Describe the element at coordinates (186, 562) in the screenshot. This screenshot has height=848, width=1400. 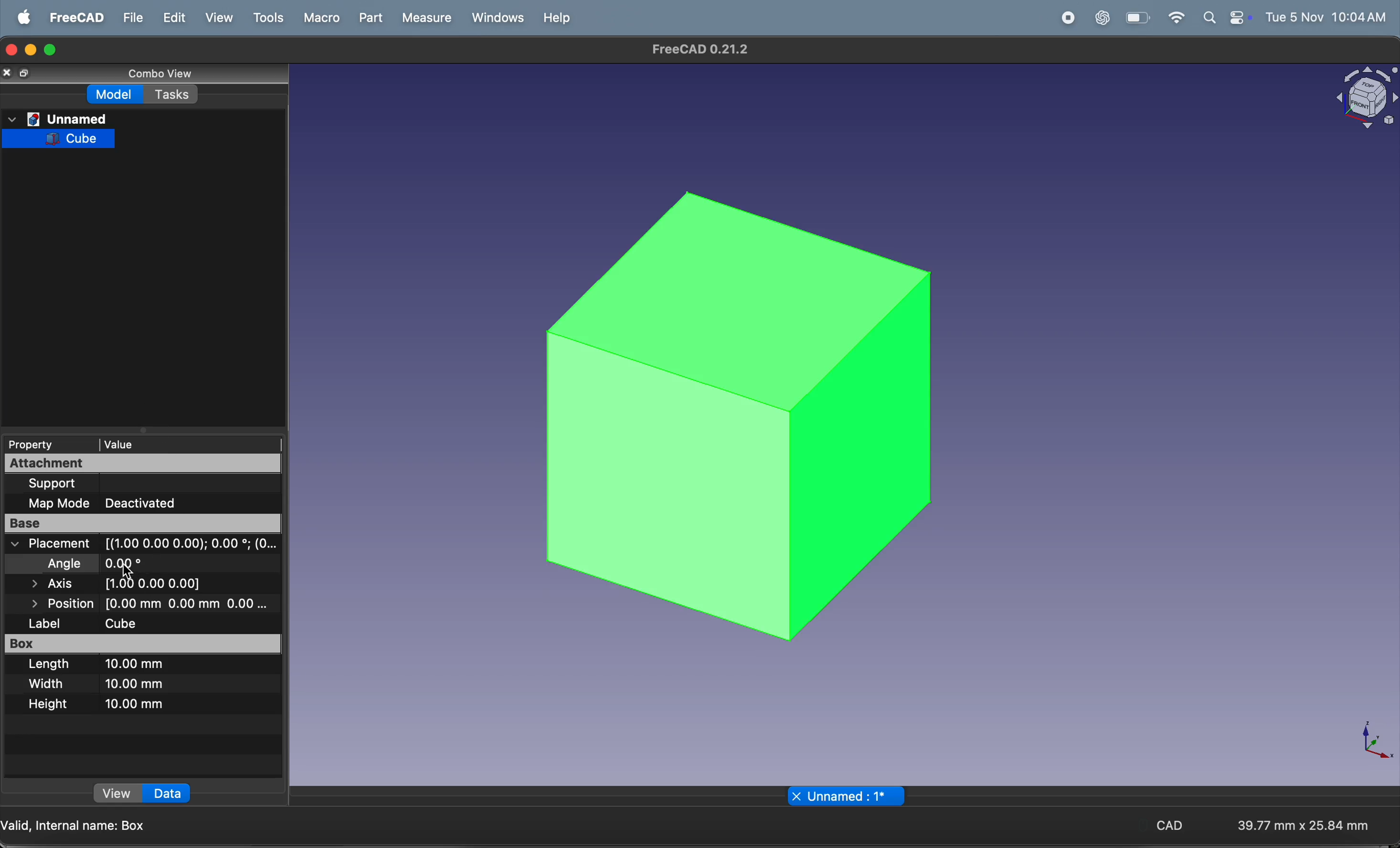
I see `degree` at that location.